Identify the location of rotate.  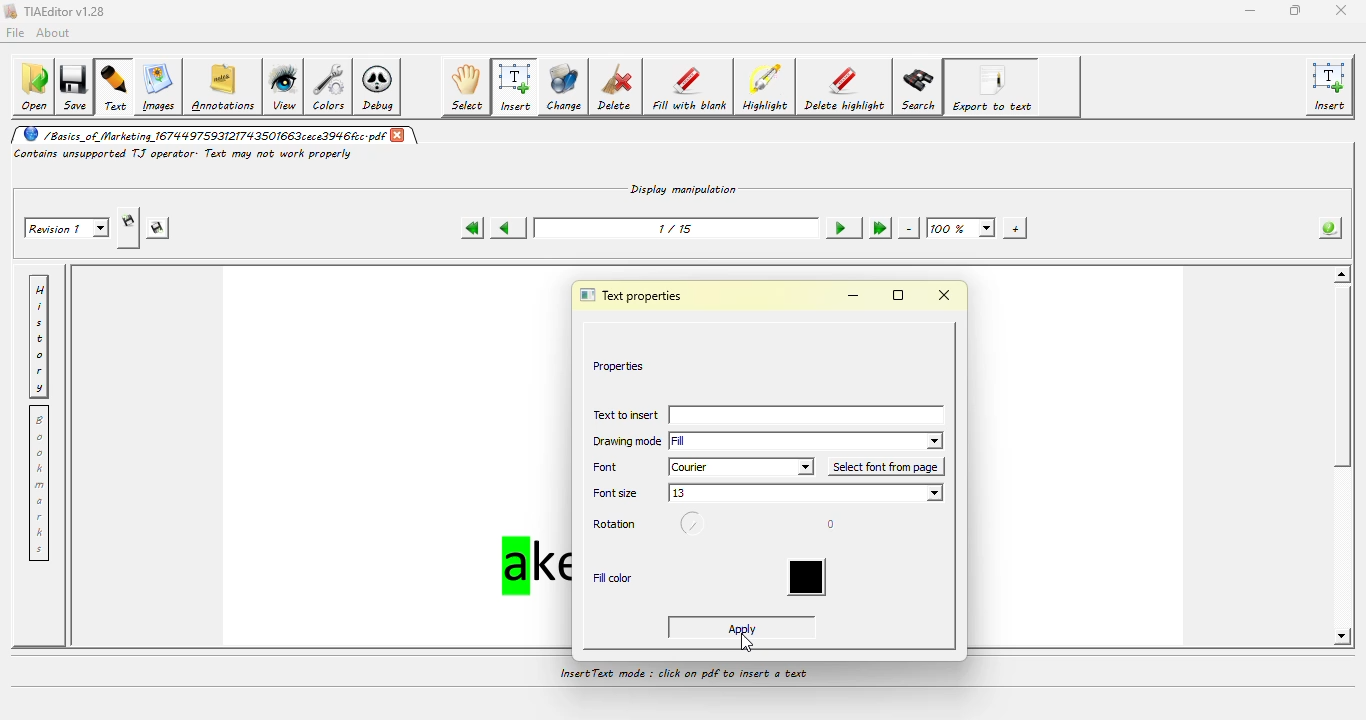
(697, 525).